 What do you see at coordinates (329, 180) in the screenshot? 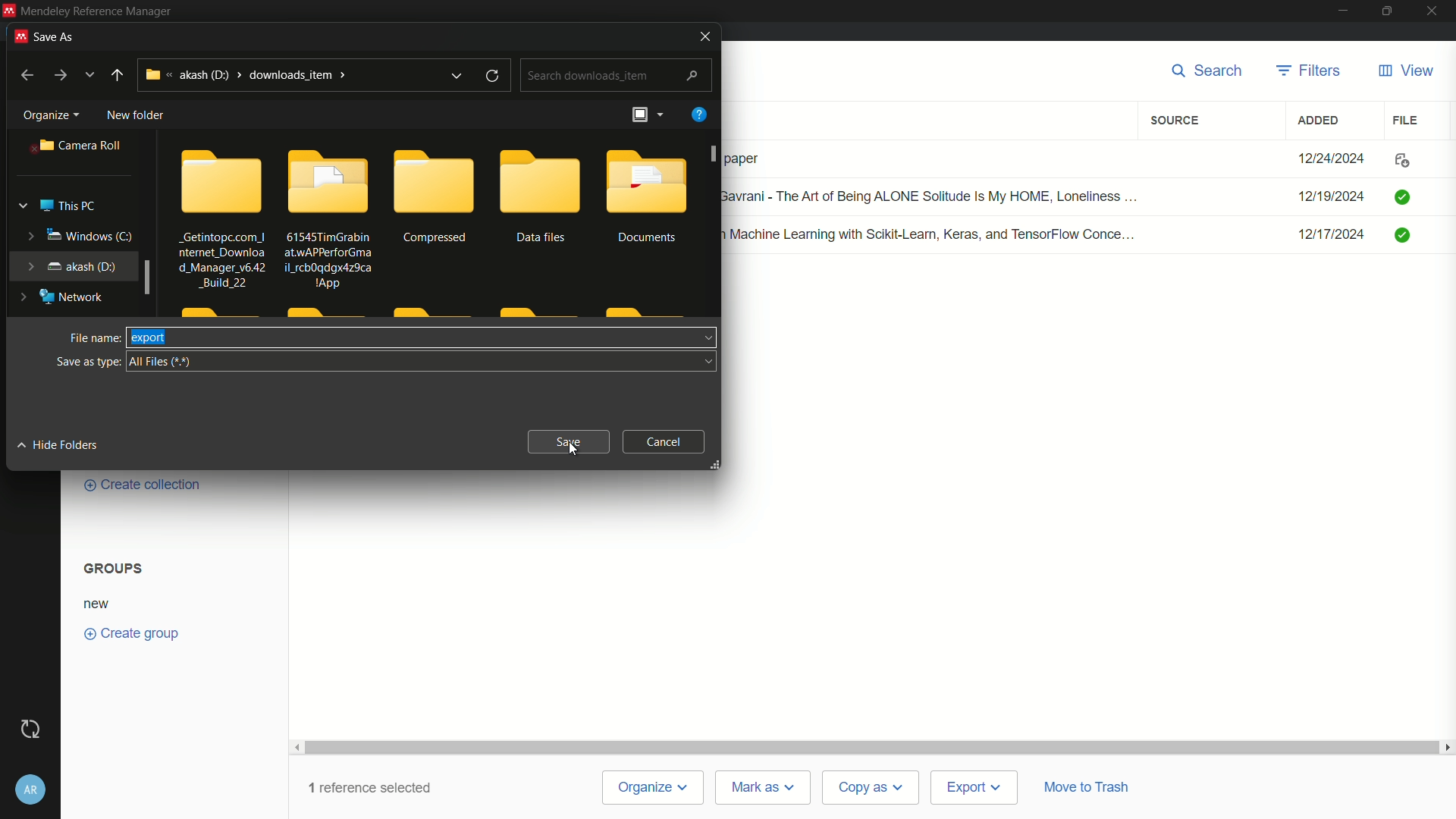
I see `folder` at bounding box center [329, 180].